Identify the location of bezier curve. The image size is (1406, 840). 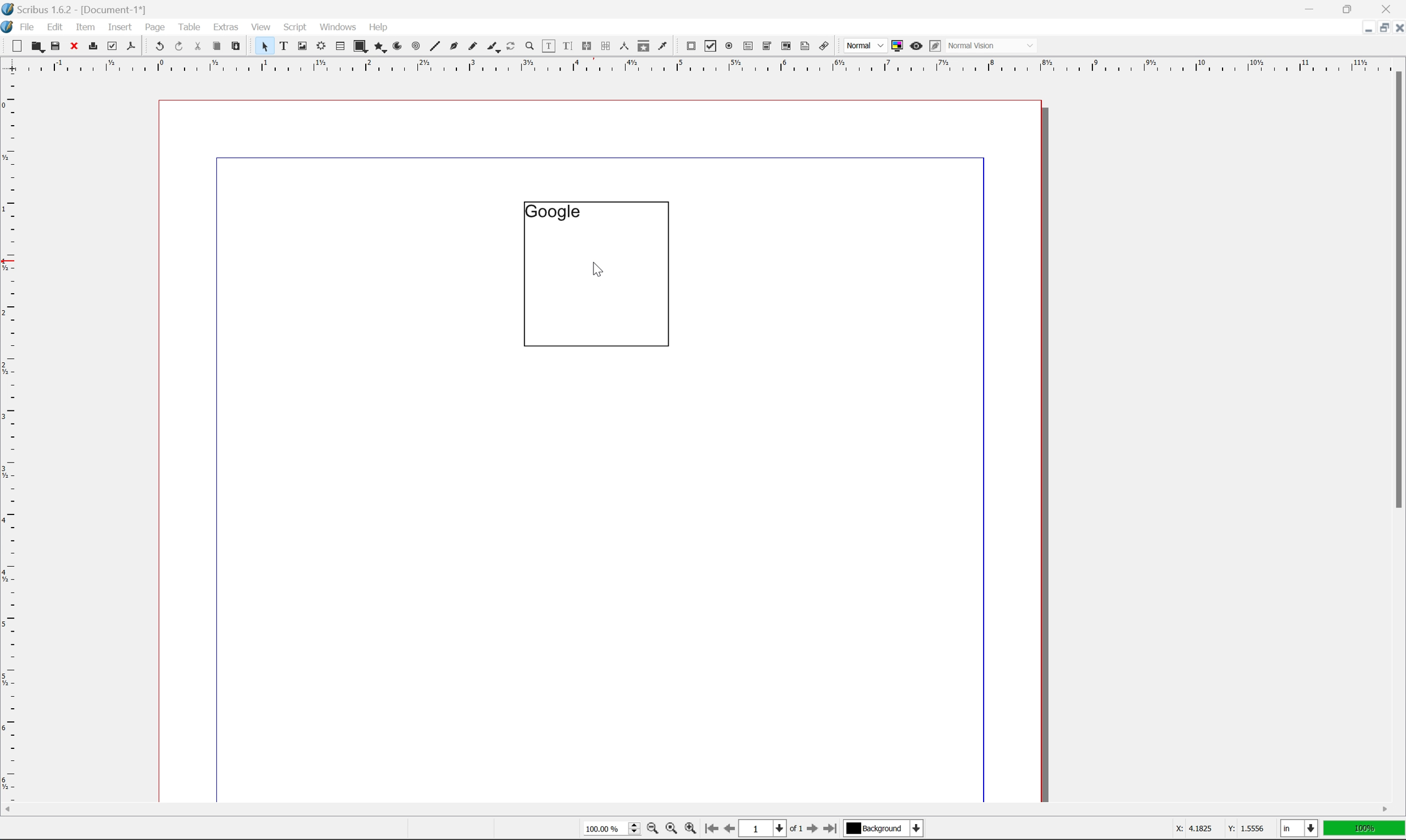
(454, 46).